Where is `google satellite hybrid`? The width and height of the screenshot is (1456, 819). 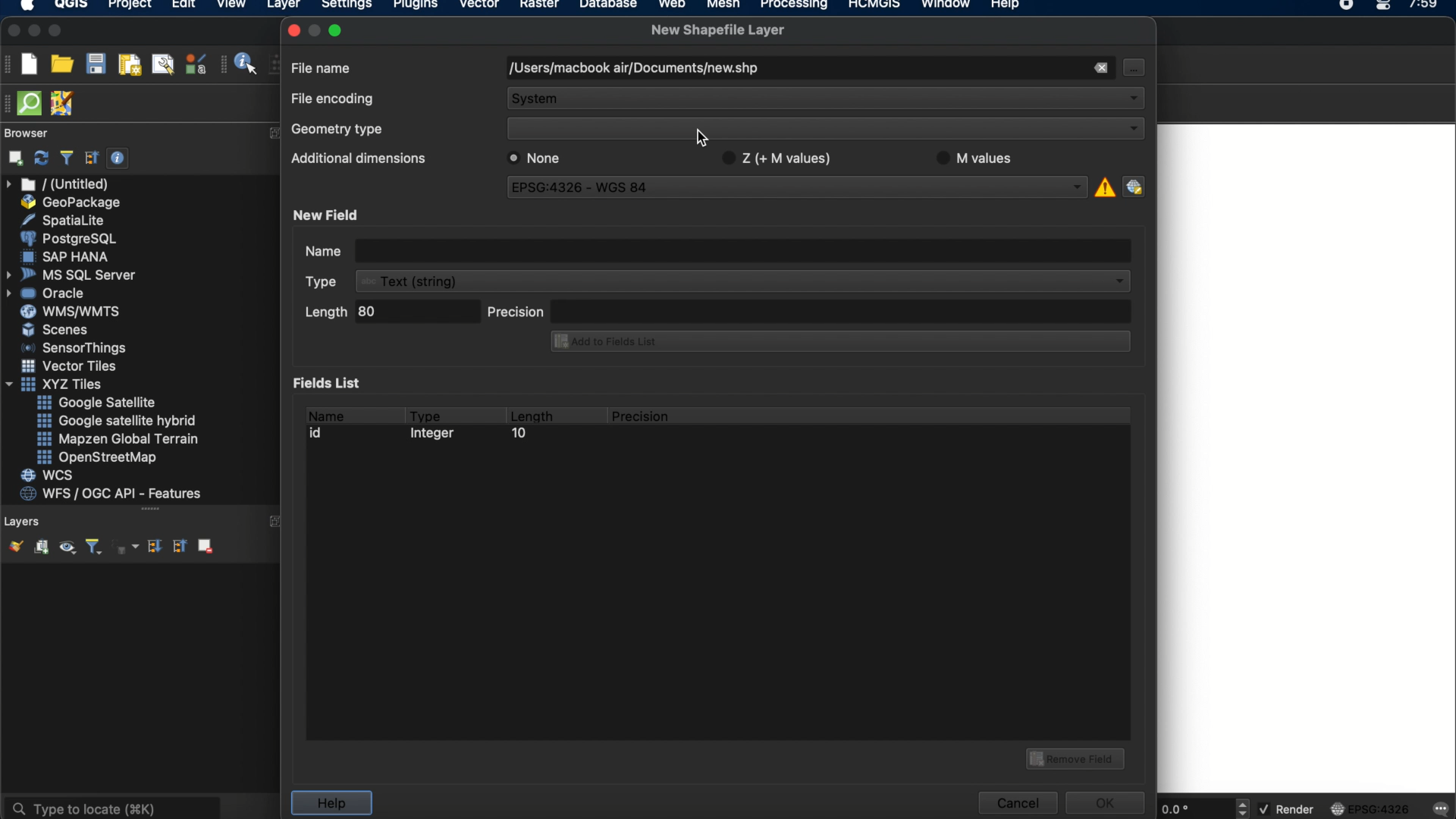 google satellite hybrid is located at coordinates (118, 421).